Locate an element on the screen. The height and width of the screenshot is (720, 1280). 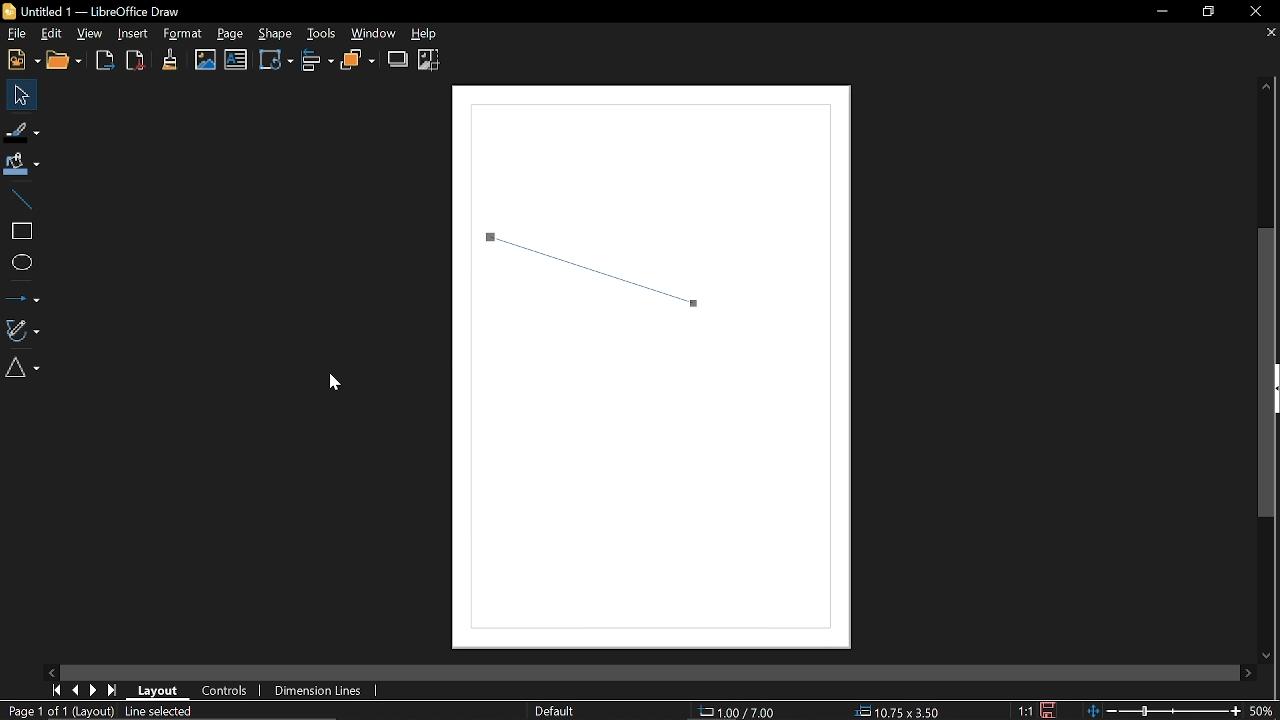
NExt page is located at coordinates (95, 690).